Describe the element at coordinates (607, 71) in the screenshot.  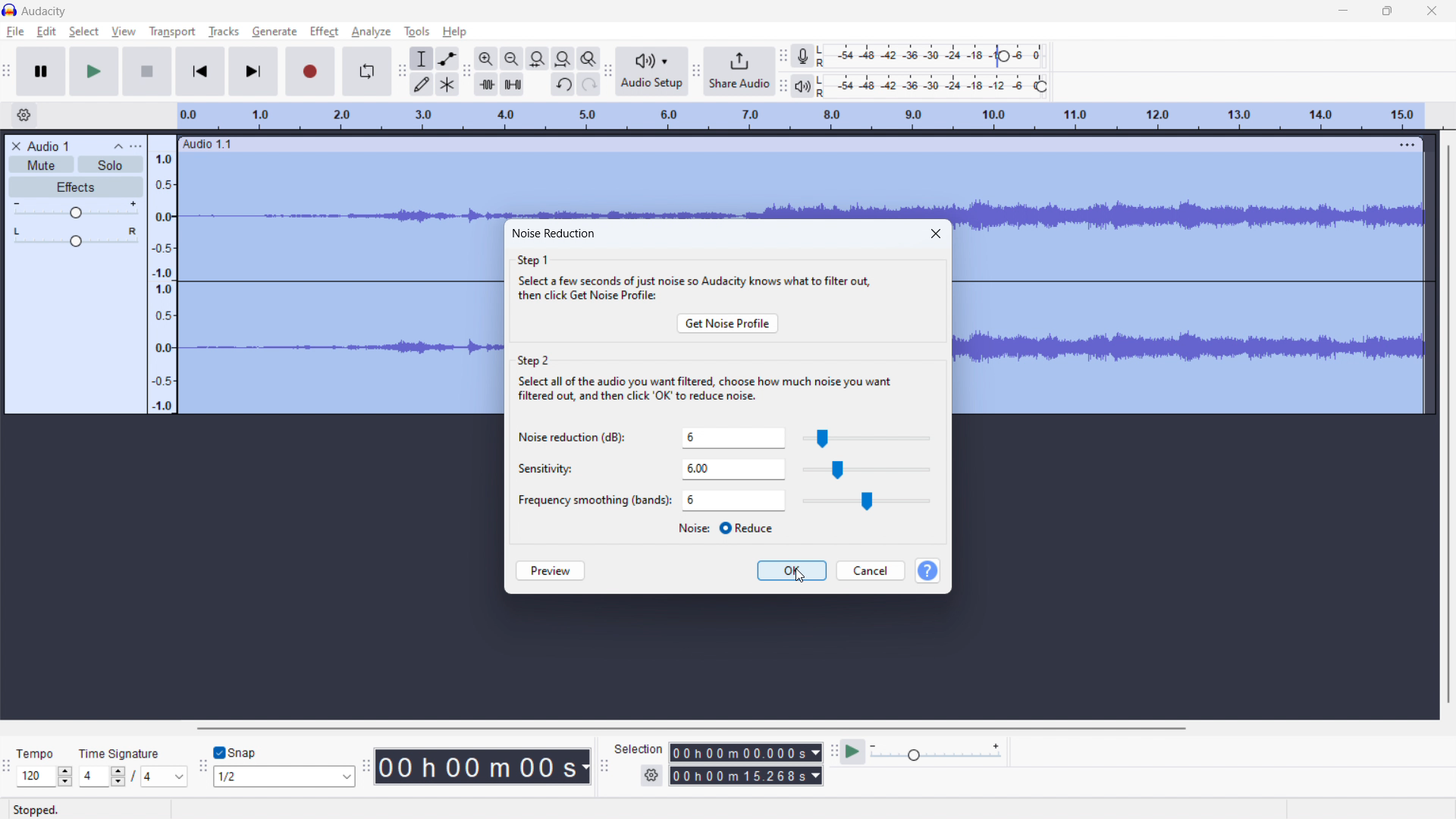
I see `audio setup toolbar` at that location.